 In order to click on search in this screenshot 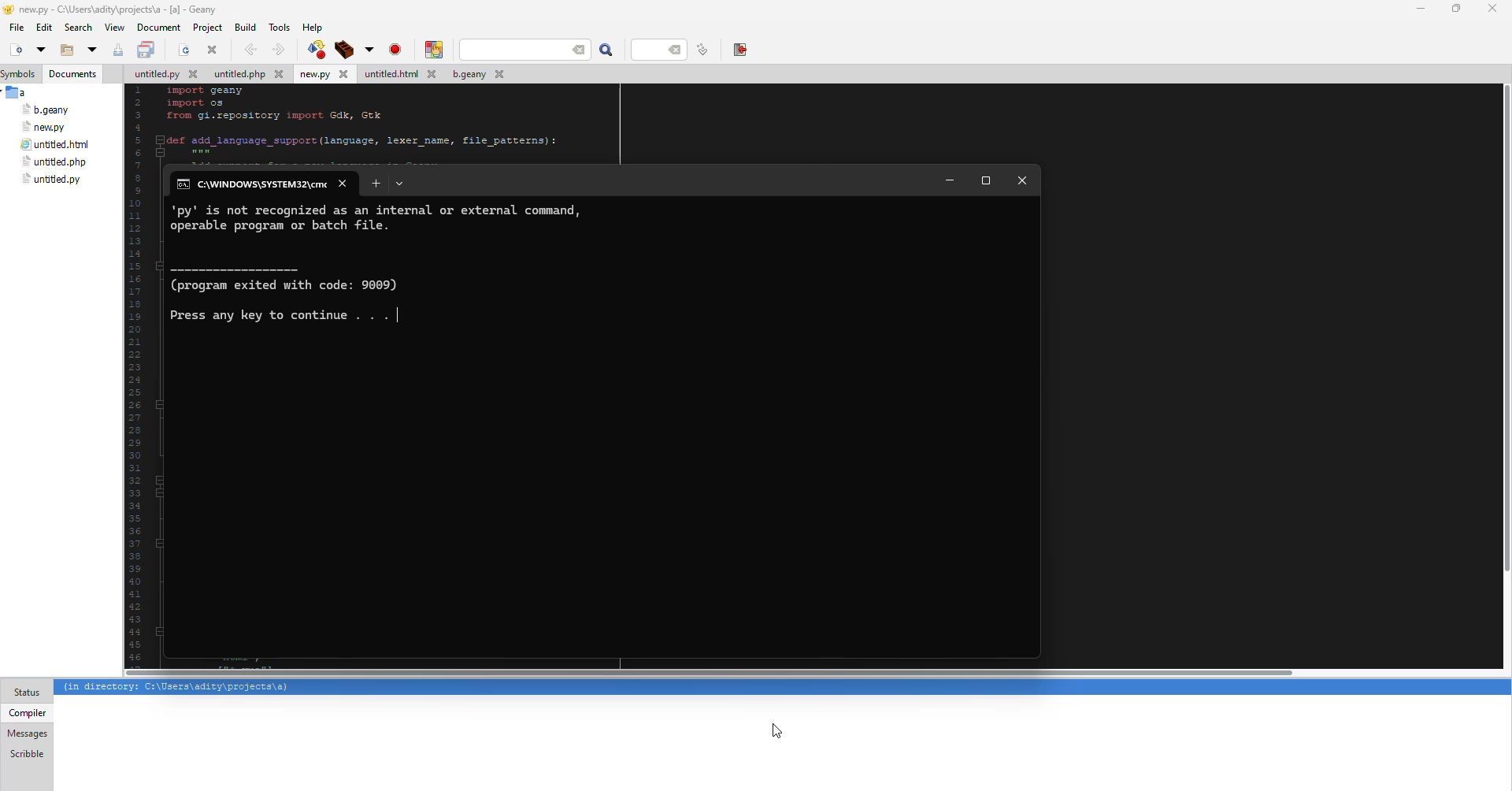, I will do `click(606, 50)`.